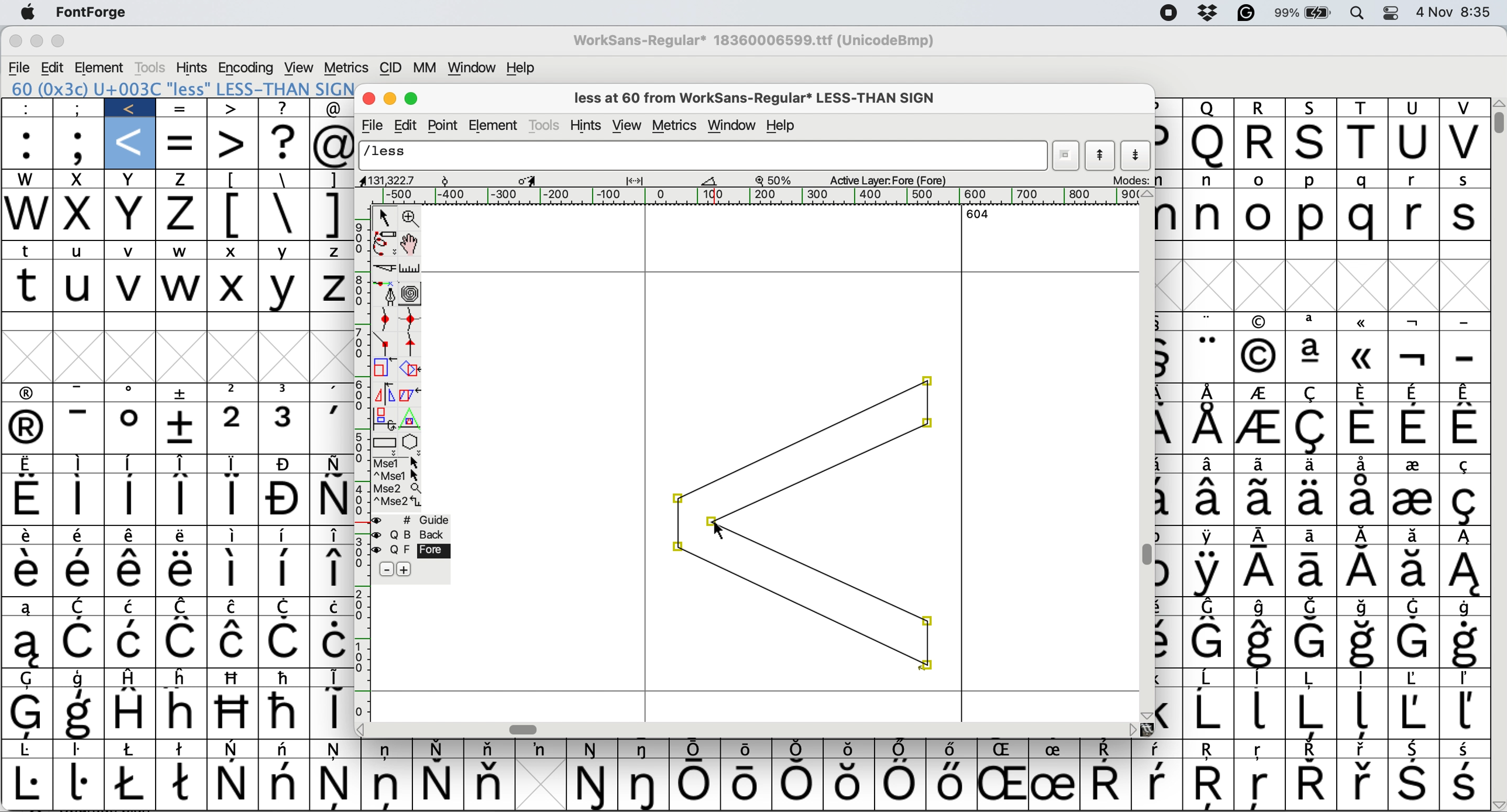  Describe the element at coordinates (1363, 783) in the screenshot. I see `Symbol` at that location.